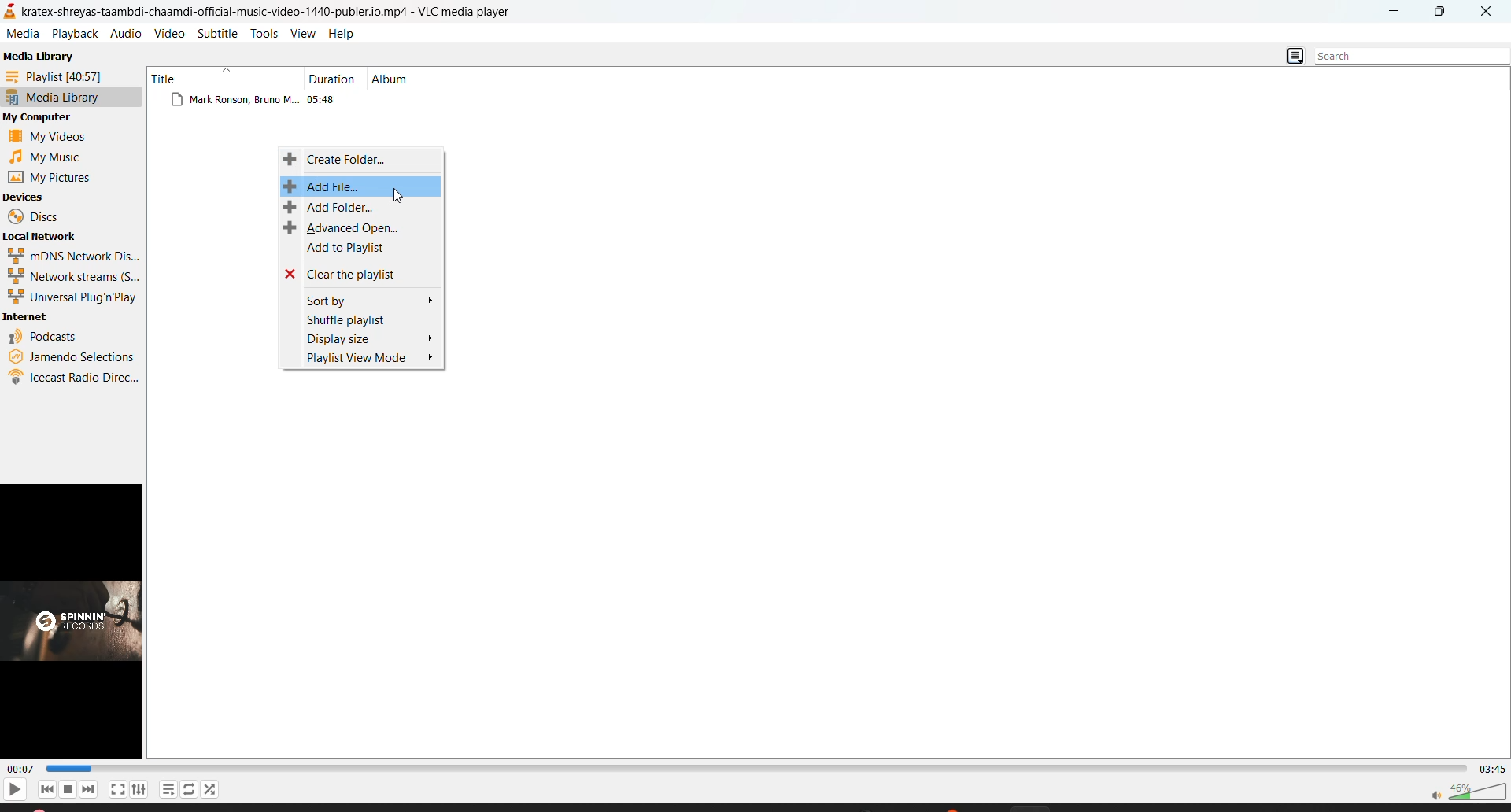 Image resolution: width=1511 pixels, height=812 pixels. What do you see at coordinates (1292, 57) in the screenshot?
I see `change view` at bounding box center [1292, 57].